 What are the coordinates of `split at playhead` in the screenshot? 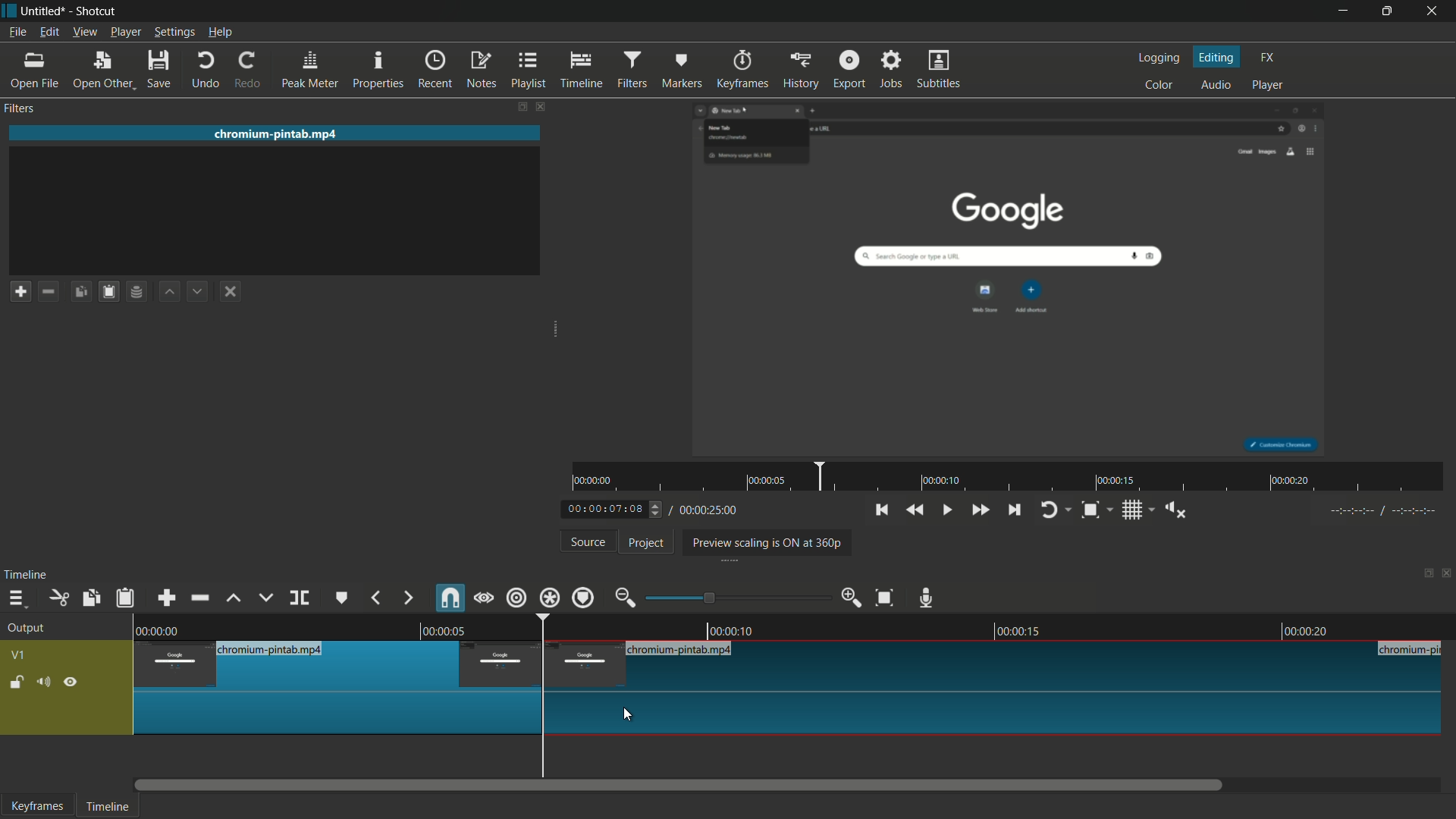 It's located at (300, 598).